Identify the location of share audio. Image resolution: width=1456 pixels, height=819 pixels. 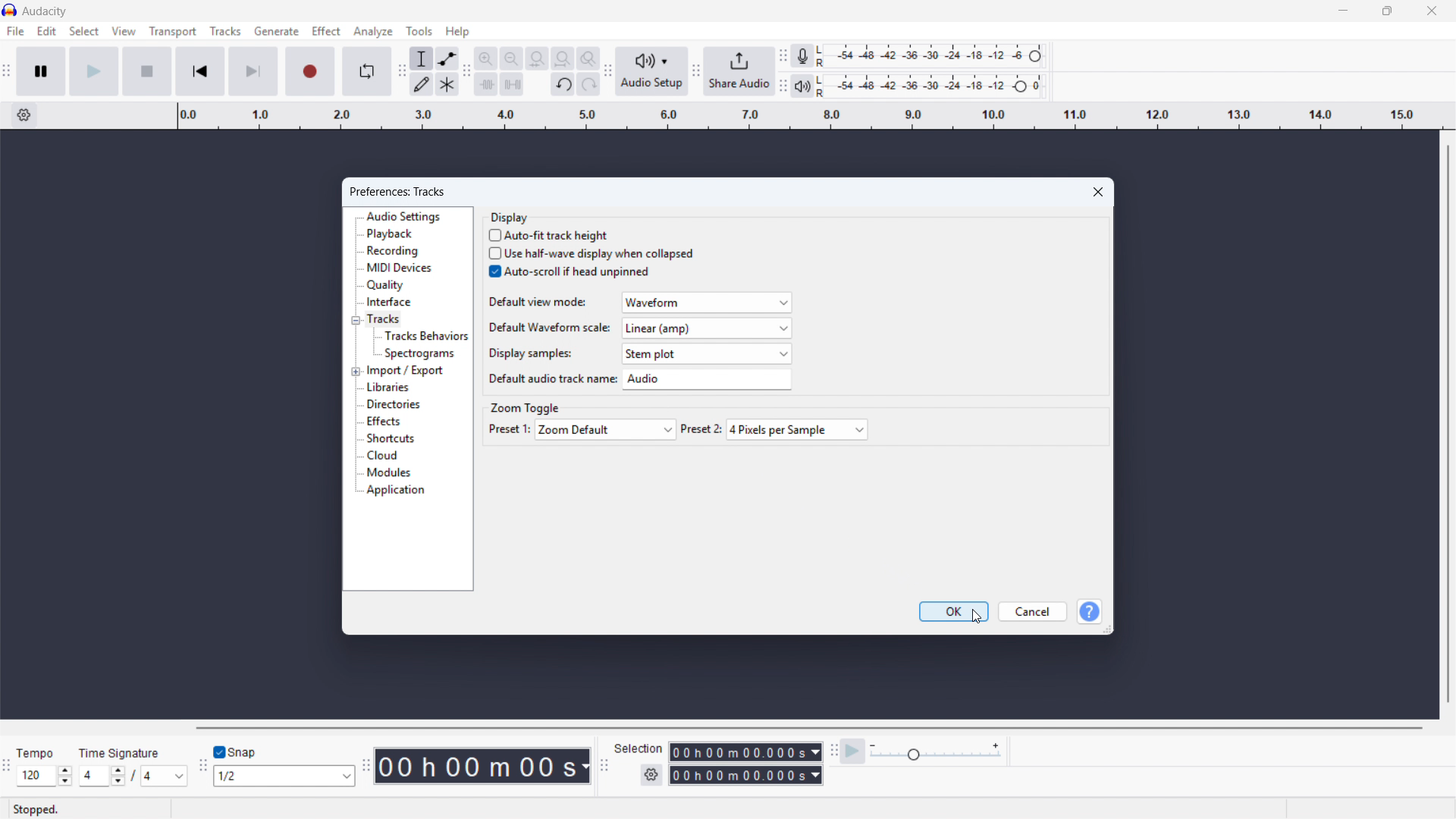
(739, 71).